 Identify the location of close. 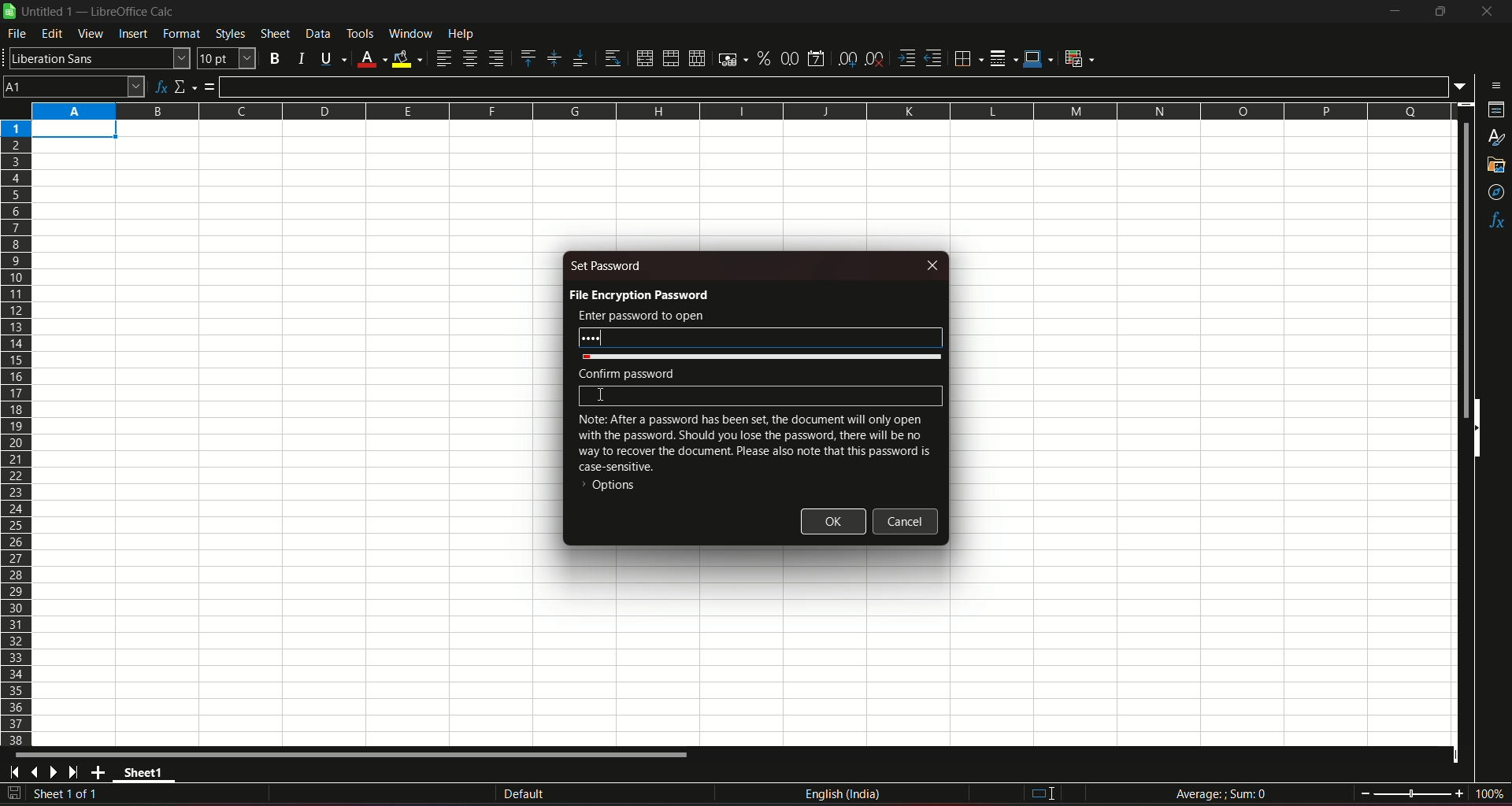
(1484, 14).